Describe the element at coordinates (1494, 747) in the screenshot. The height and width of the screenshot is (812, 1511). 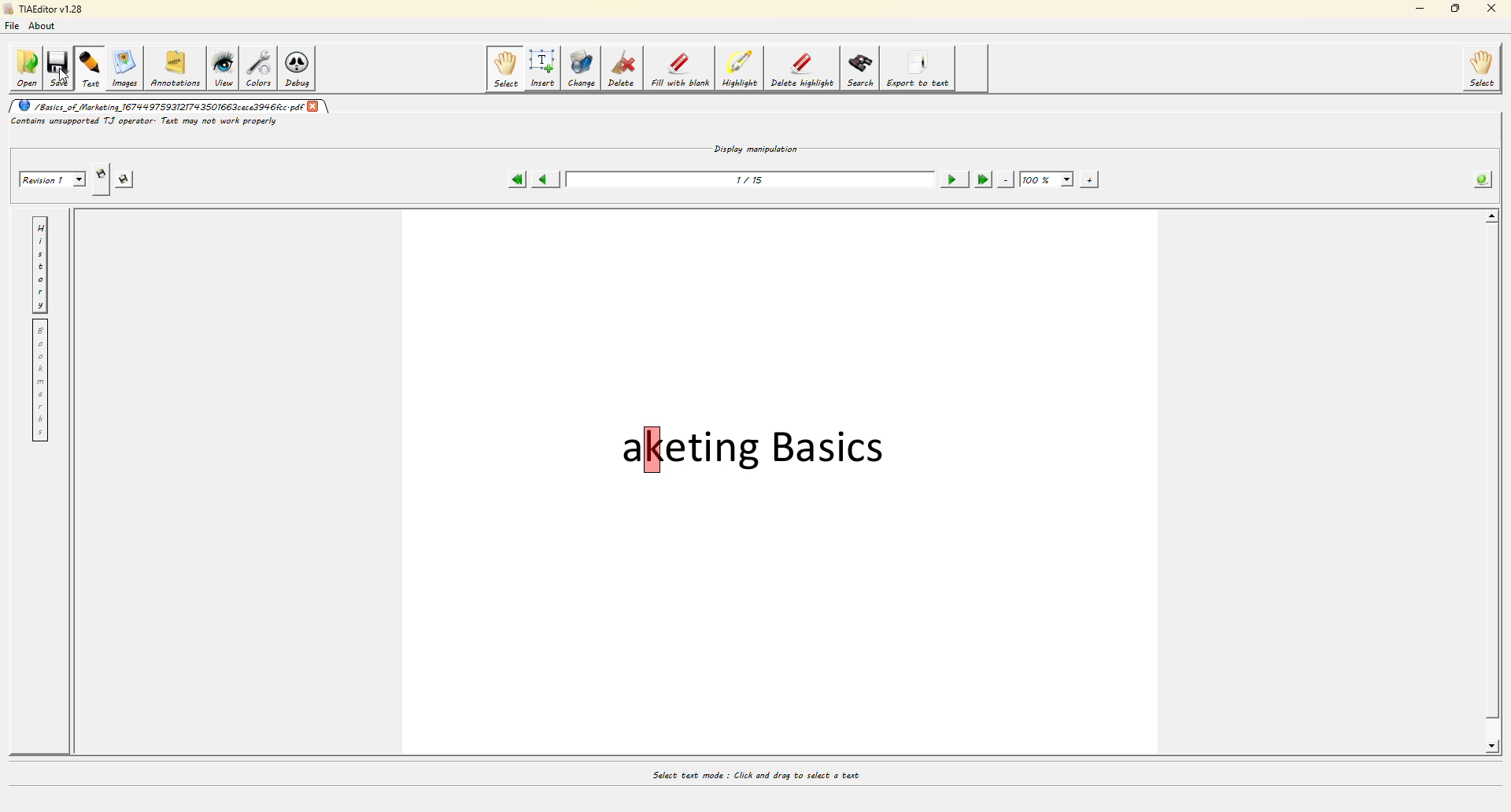
I see `move down` at that location.